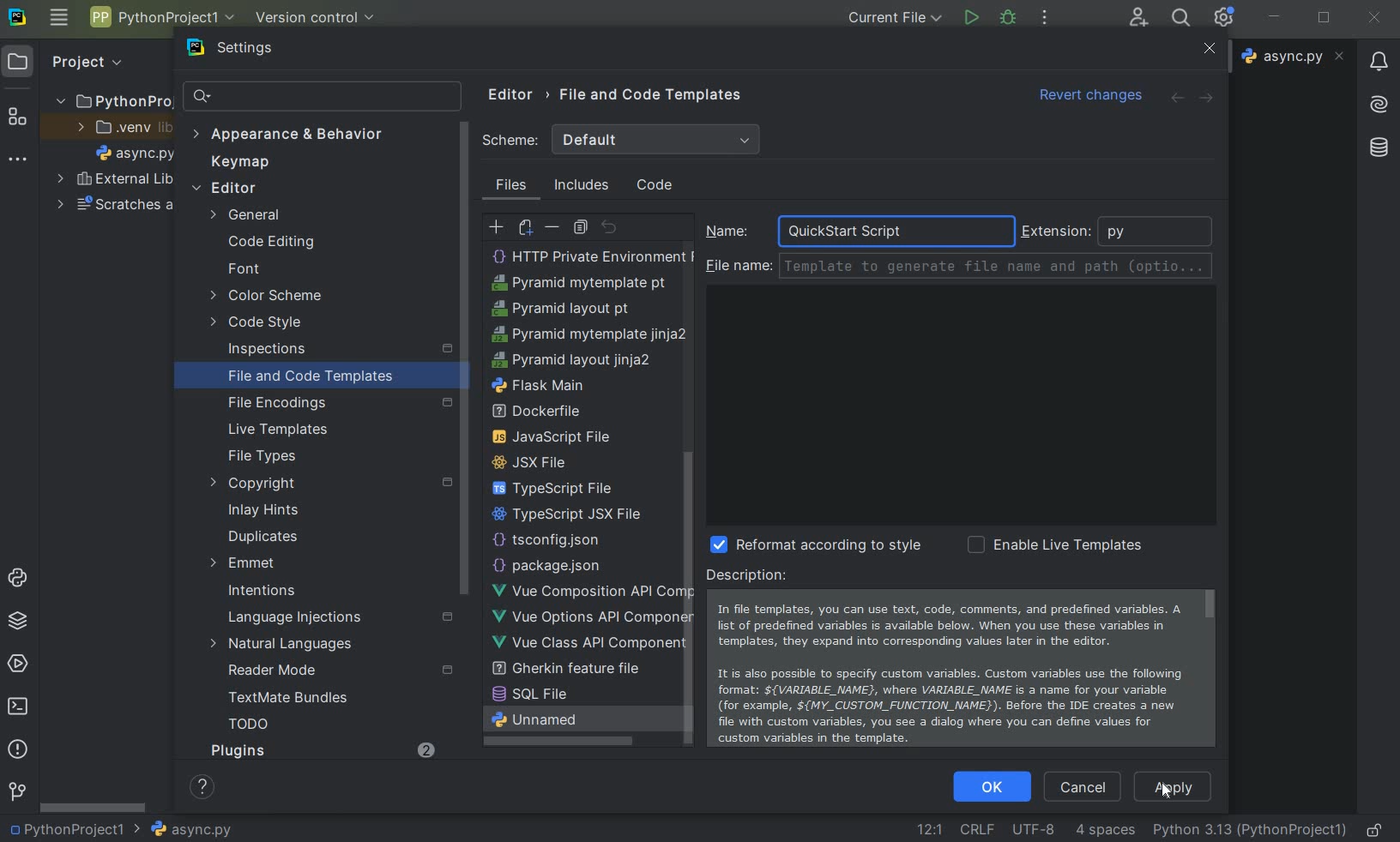 The width and height of the screenshot is (1400, 842). Describe the element at coordinates (238, 164) in the screenshot. I see `keymap` at that location.